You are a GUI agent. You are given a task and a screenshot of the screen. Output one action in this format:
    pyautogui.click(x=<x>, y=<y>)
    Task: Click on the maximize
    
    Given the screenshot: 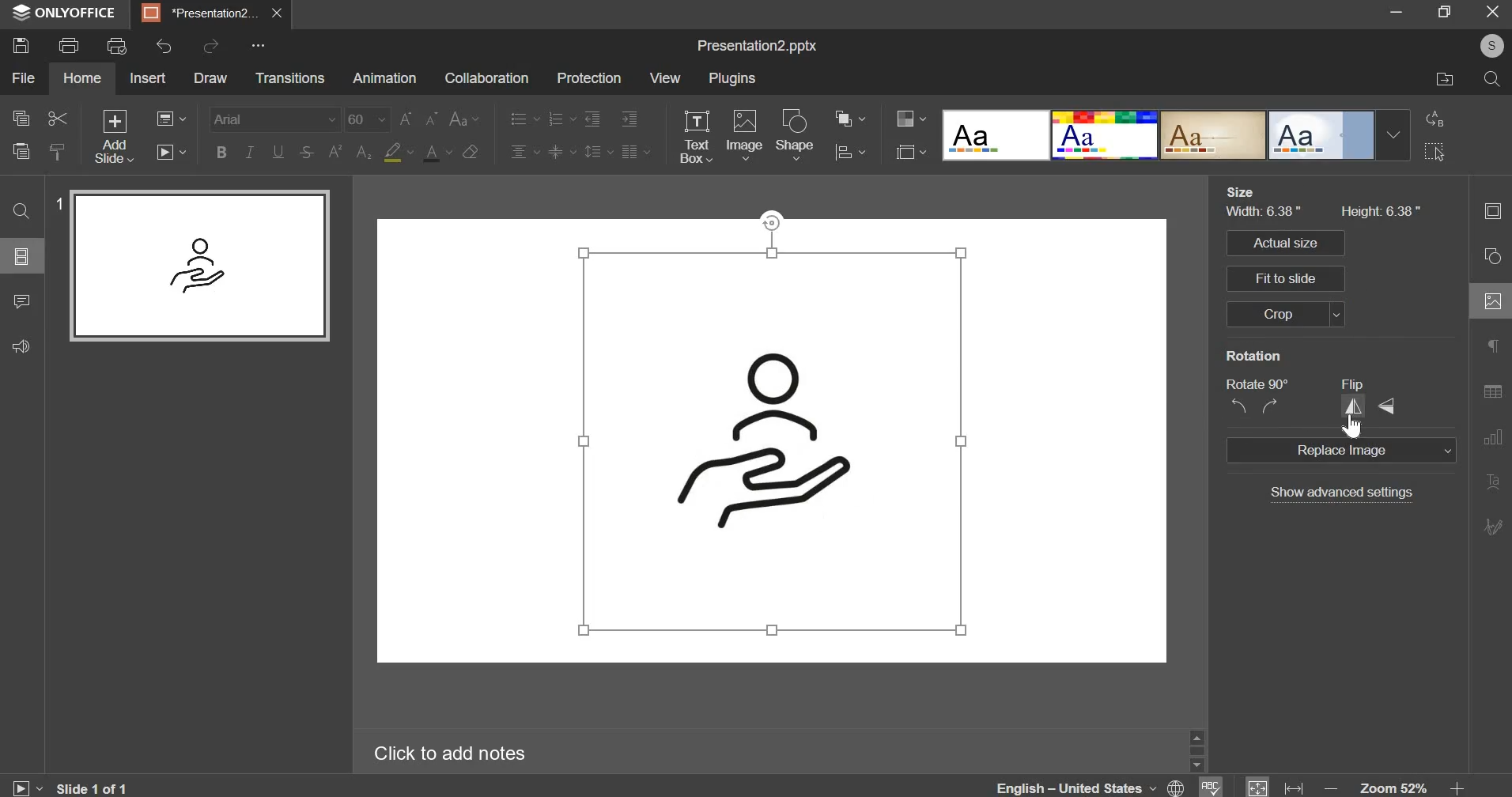 What is the action you would take?
    pyautogui.click(x=1443, y=10)
    